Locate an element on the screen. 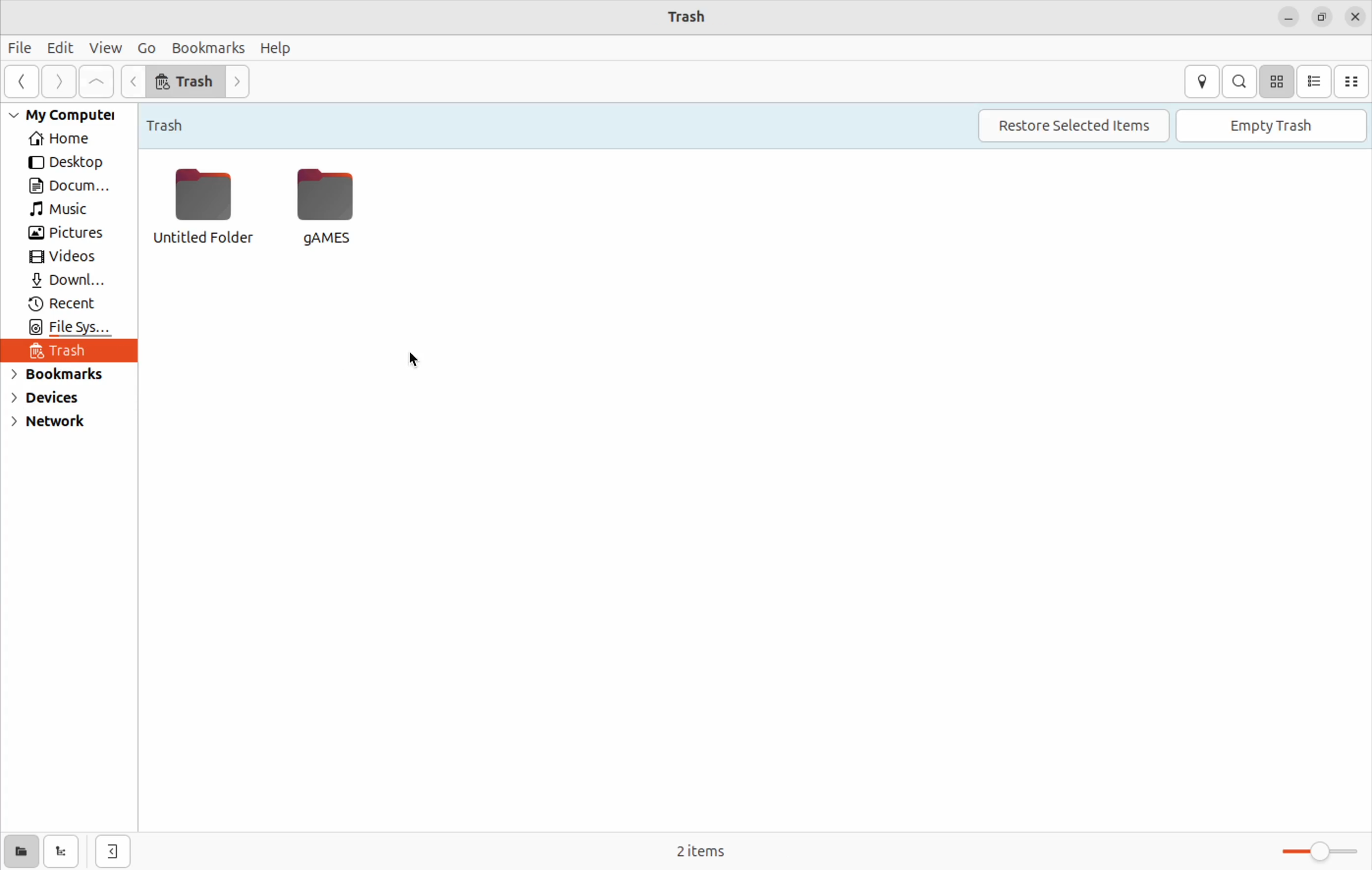  Help is located at coordinates (280, 48).